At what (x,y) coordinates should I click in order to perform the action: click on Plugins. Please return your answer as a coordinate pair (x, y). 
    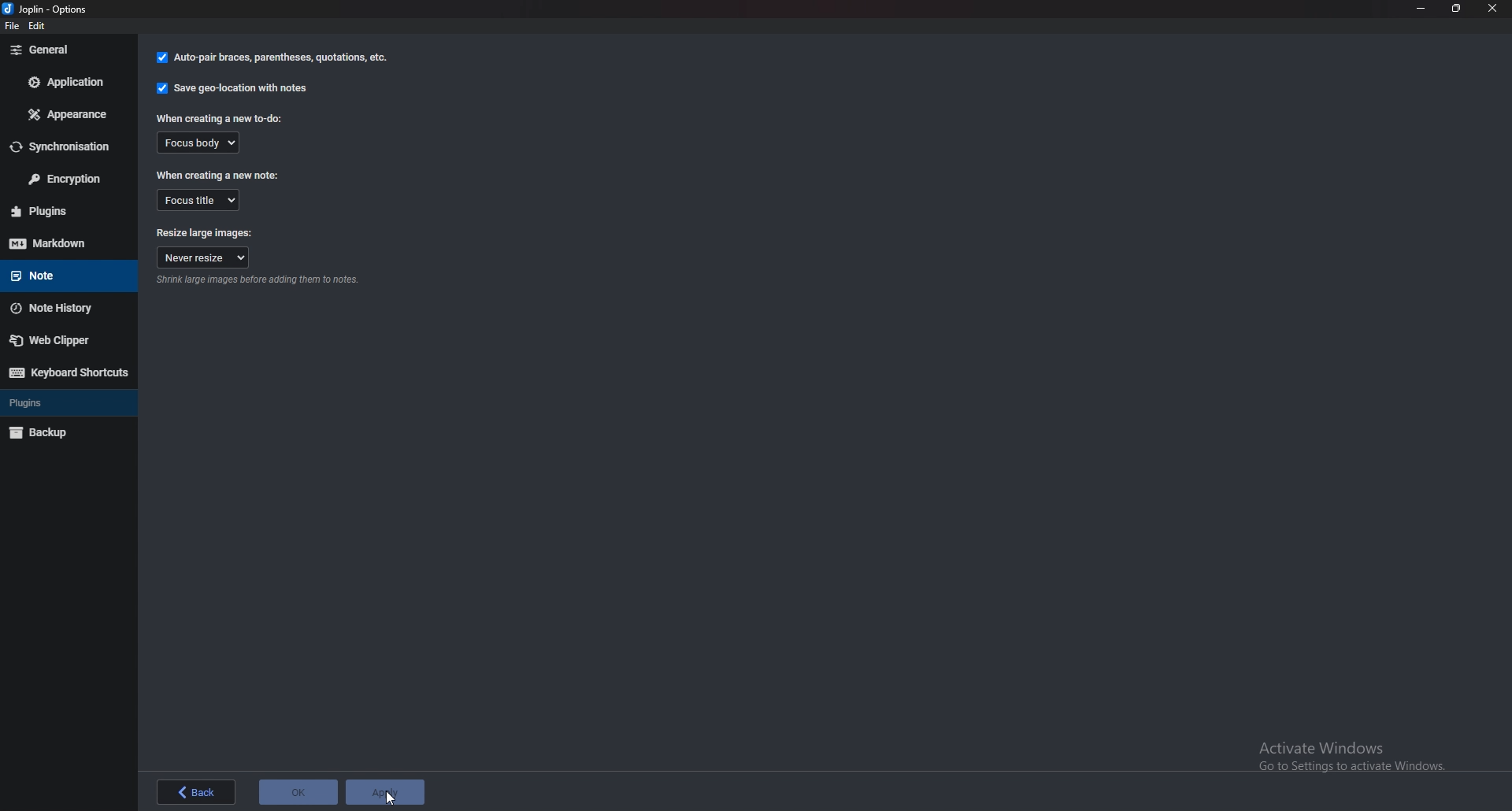
    Looking at the image, I should click on (57, 402).